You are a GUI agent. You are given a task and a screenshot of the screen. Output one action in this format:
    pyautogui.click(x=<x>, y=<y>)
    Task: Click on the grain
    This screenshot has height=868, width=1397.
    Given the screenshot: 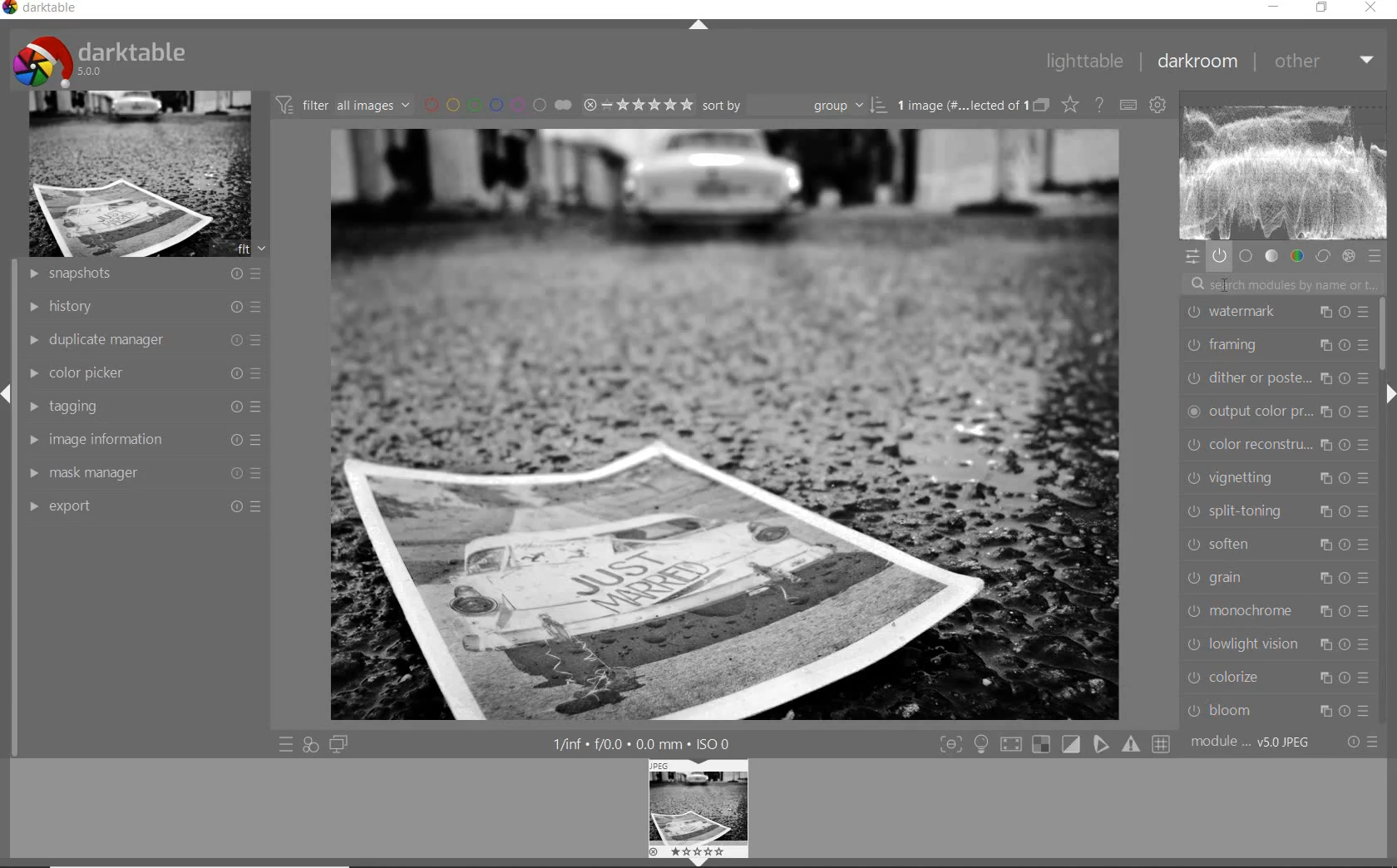 What is the action you would take?
    pyautogui.click(x=1276, y=579)
    